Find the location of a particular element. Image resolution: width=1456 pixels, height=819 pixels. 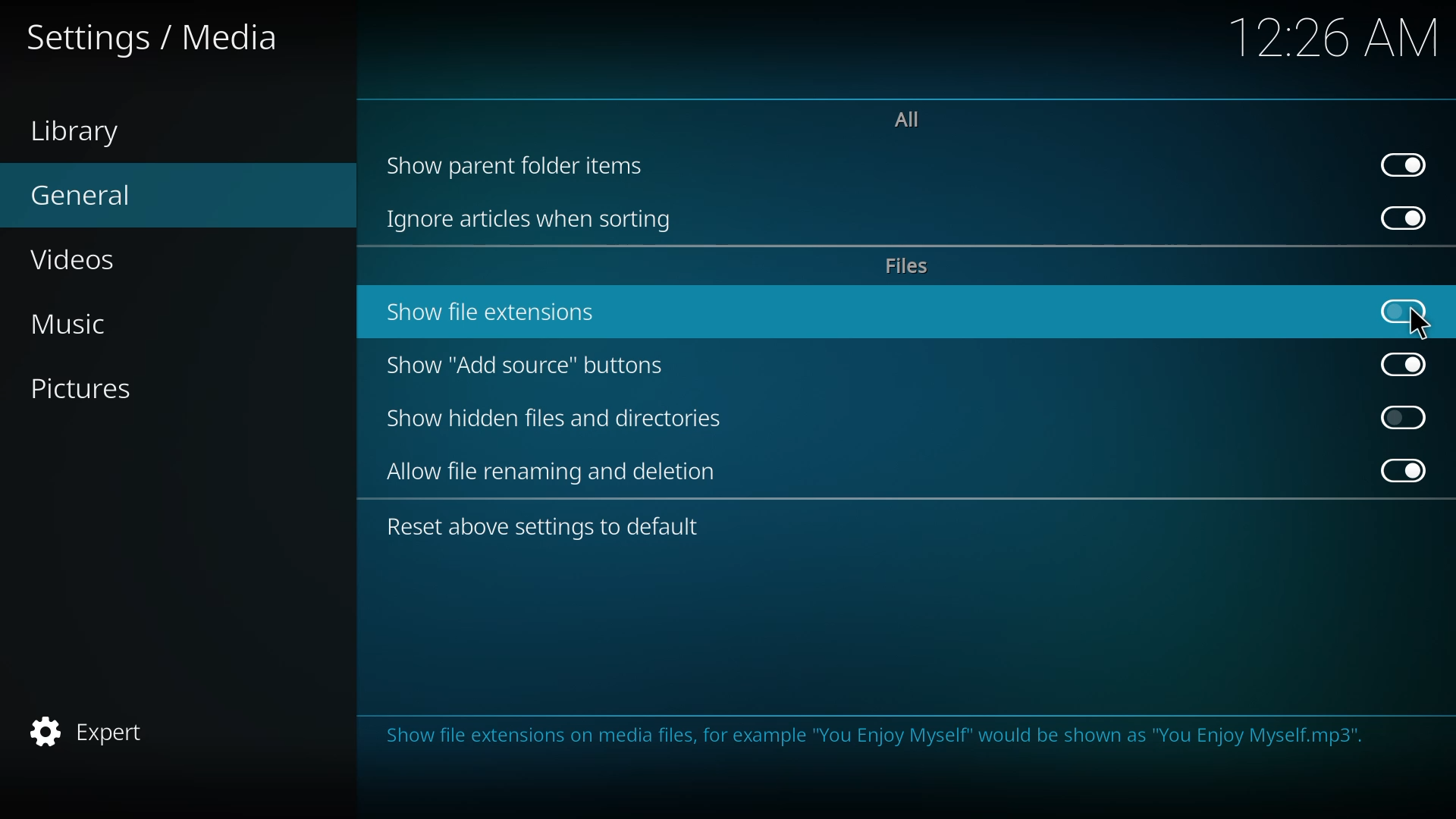

music is located at coordinates (82, 326).